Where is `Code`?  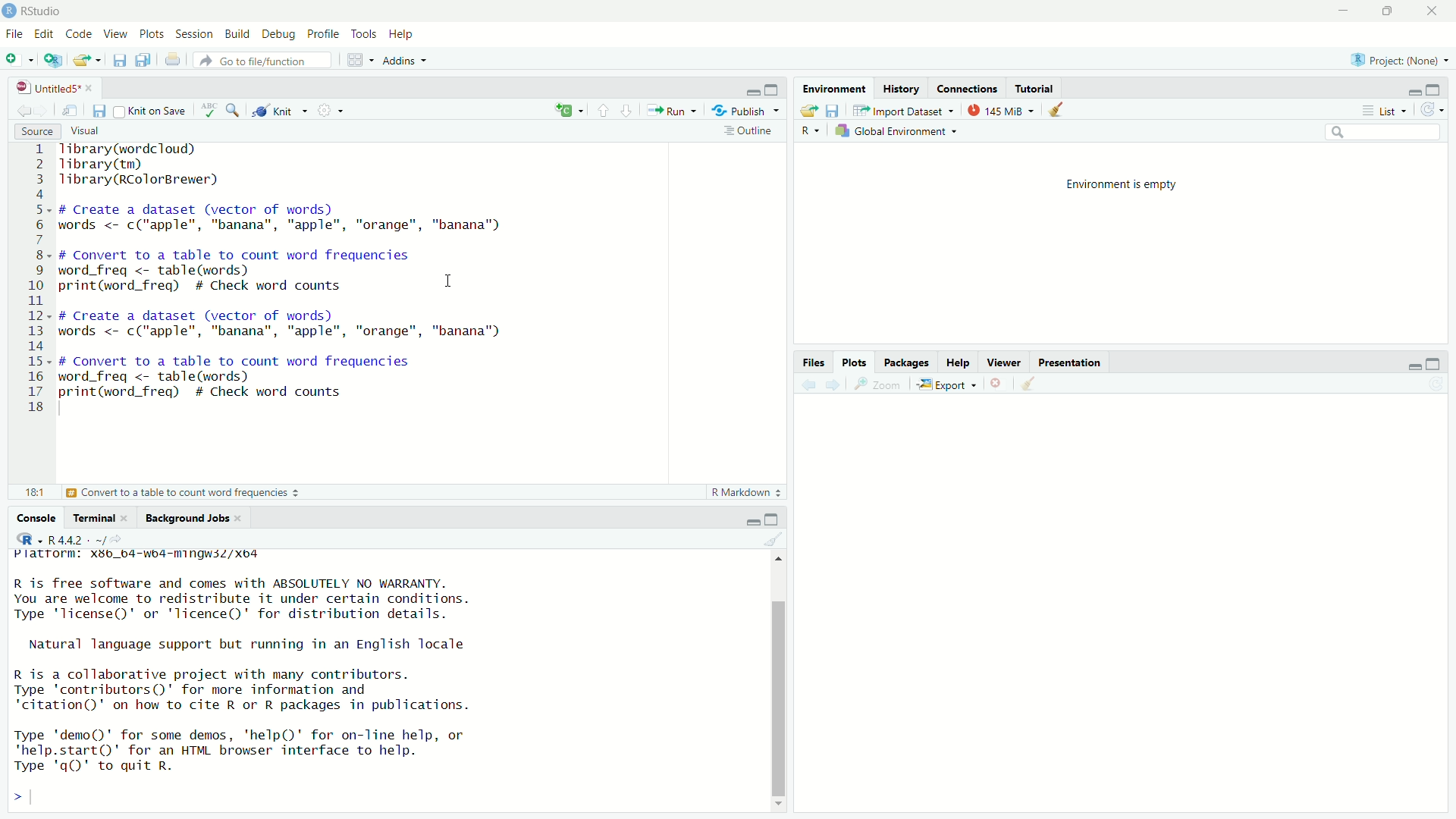
Code is located at coordinates (78, 35).